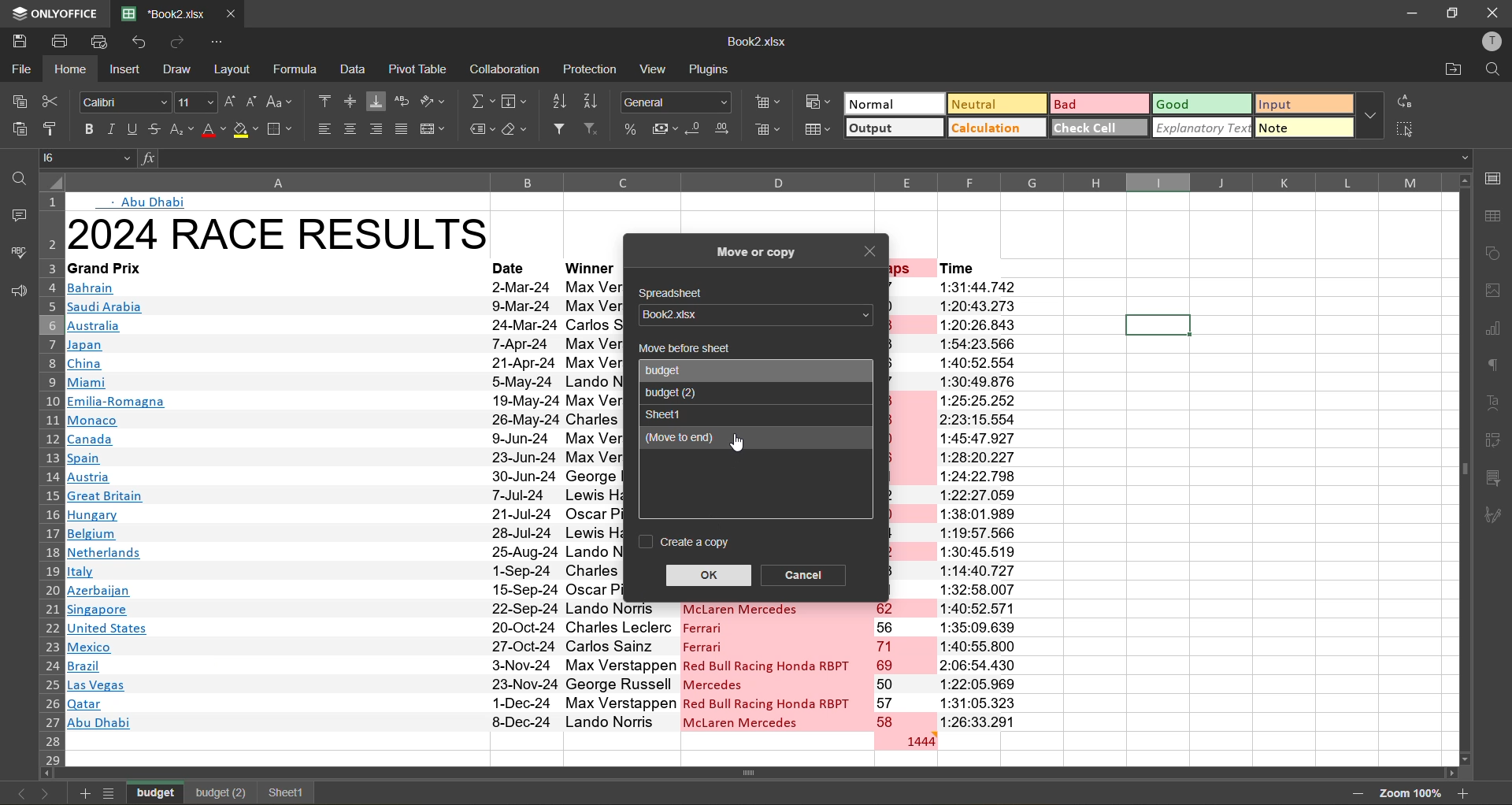 This screenshot has width=1512, height=805. What do you see at coordinates (755, 248) in the screenshot?
I see `move or copy` at bounding box center [755, 248].